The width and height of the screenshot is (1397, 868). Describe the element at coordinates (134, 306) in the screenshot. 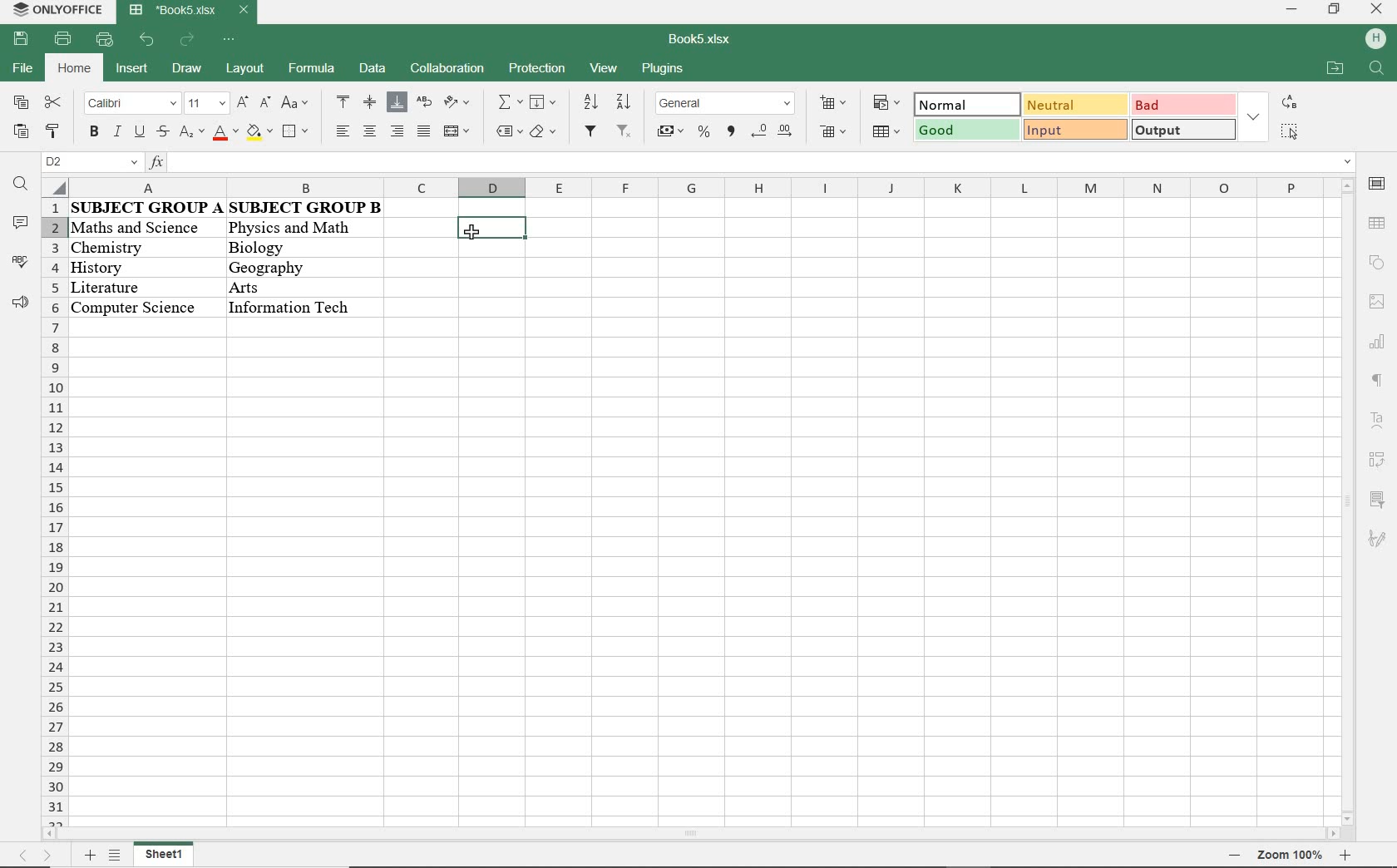

I see `computer science ` at that location.